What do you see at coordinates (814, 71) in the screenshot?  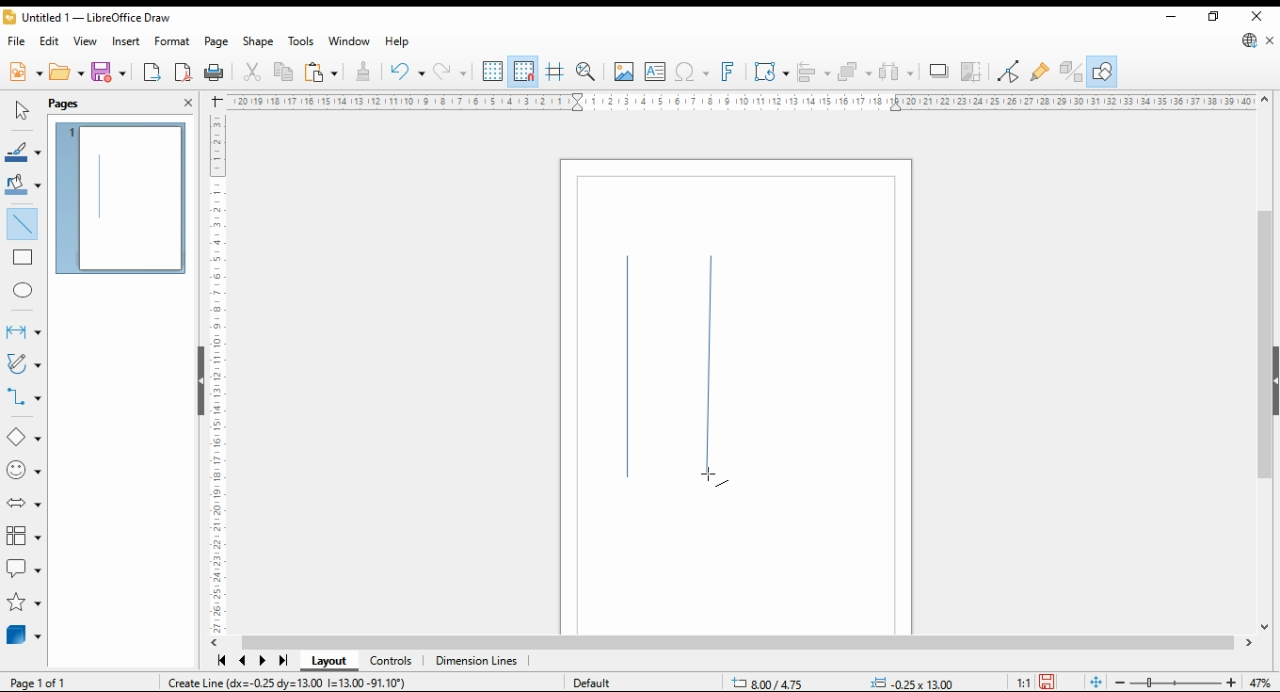 I see `align objects` at bounding box center [814, 71].